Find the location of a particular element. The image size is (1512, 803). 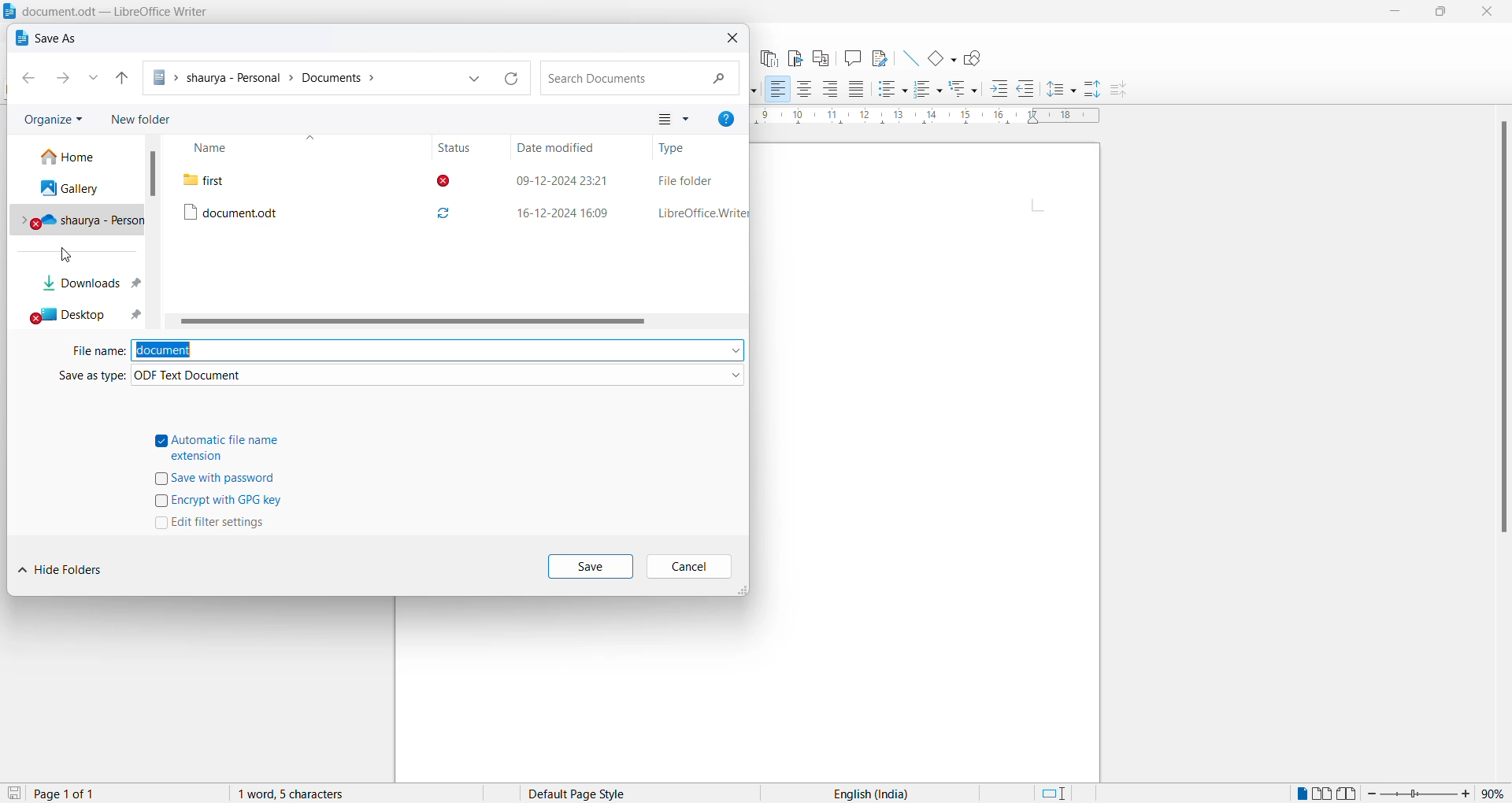

libreoffice writer is located at coordinates (699, 213).